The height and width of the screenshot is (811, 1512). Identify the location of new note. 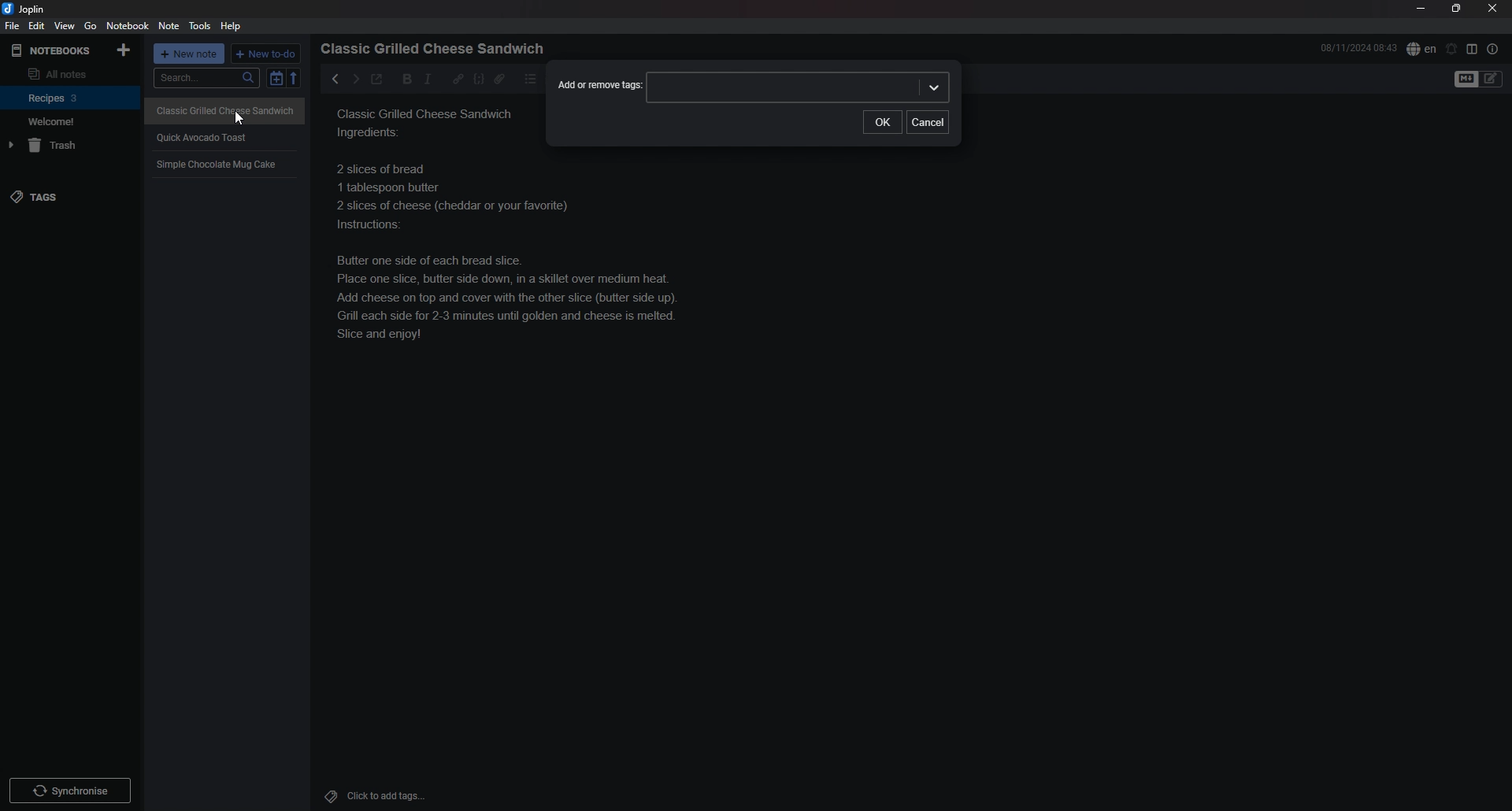
(190, 54).